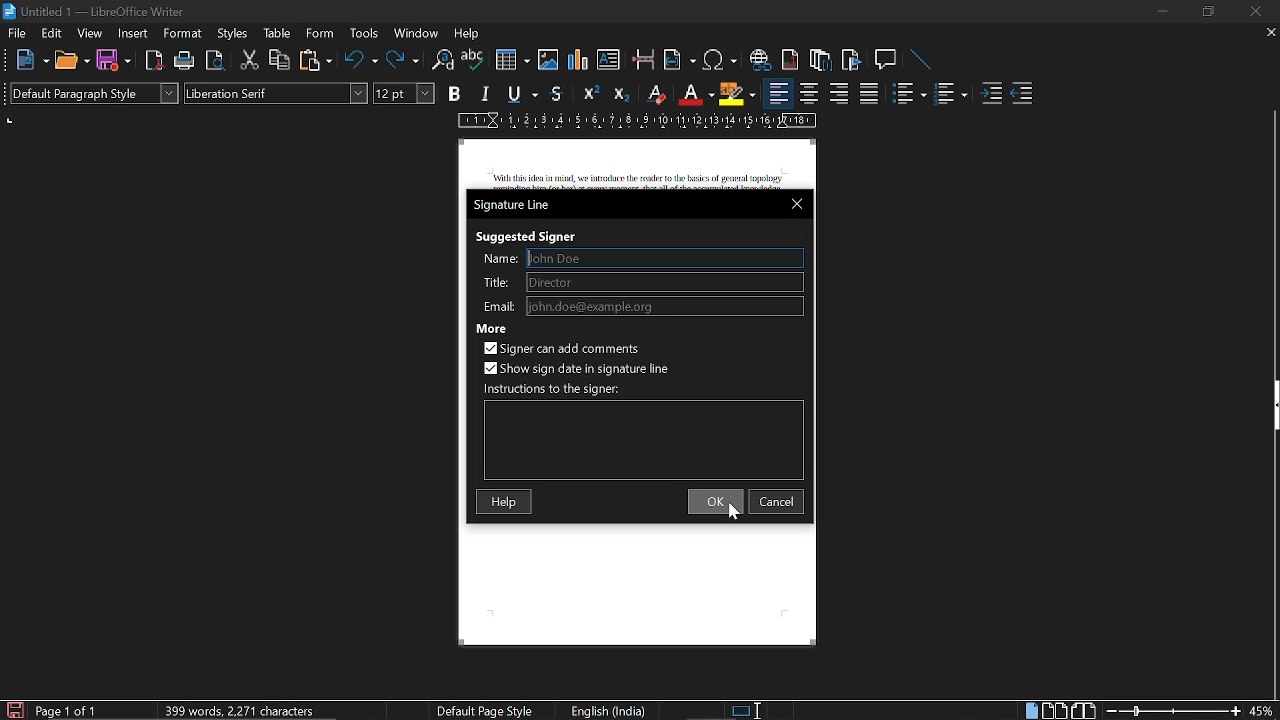  What do you see at coordinates (443, 60) in the screenshot?
I see `find and replace` at bounding box center [443, 60].